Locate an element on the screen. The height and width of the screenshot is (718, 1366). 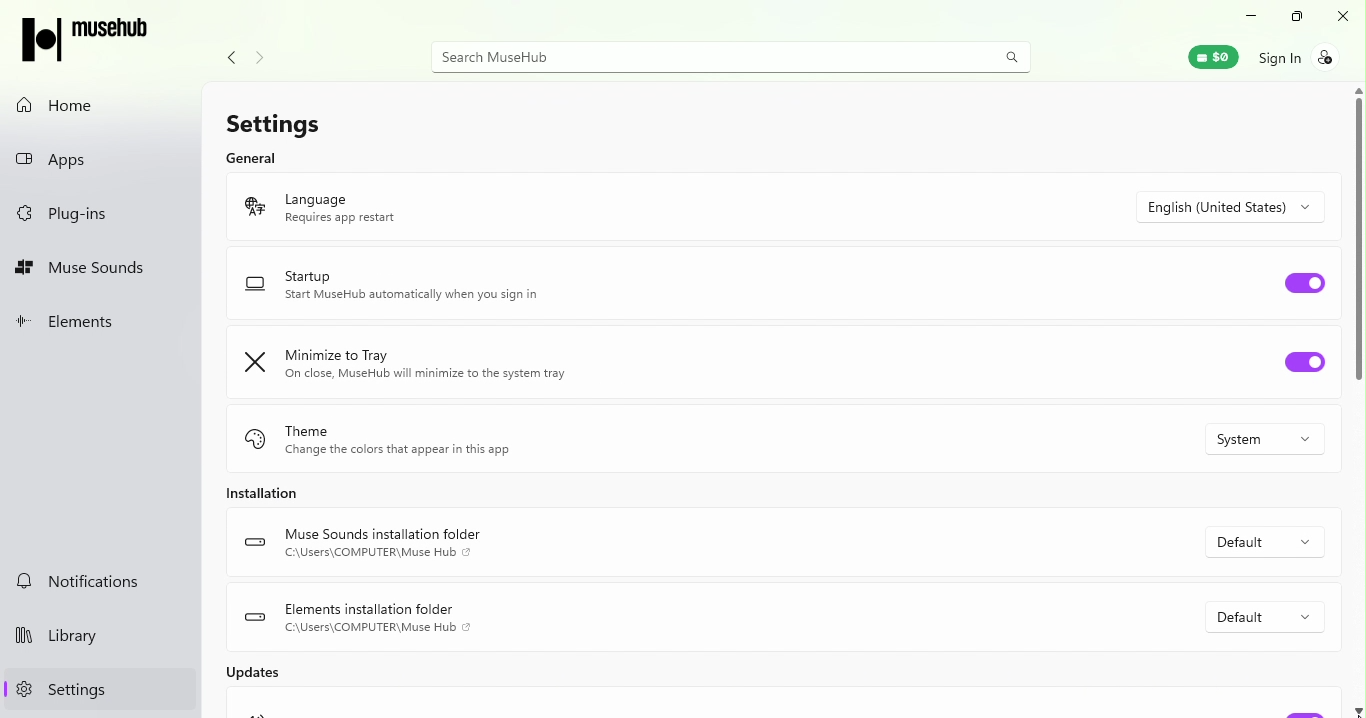
Updates is located at coordinates (266, 676).